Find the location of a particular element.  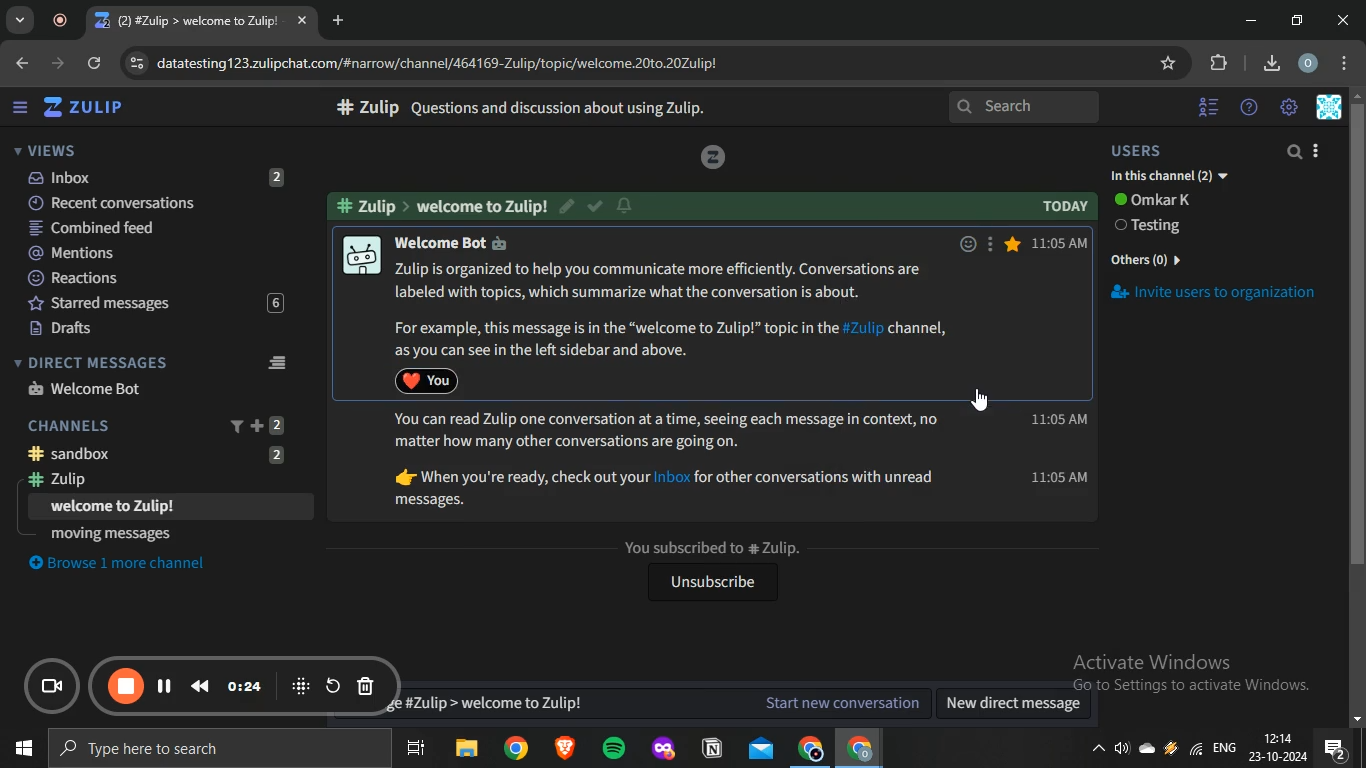

zulip and channel descriptions and  is located at coordinates (670, 460).